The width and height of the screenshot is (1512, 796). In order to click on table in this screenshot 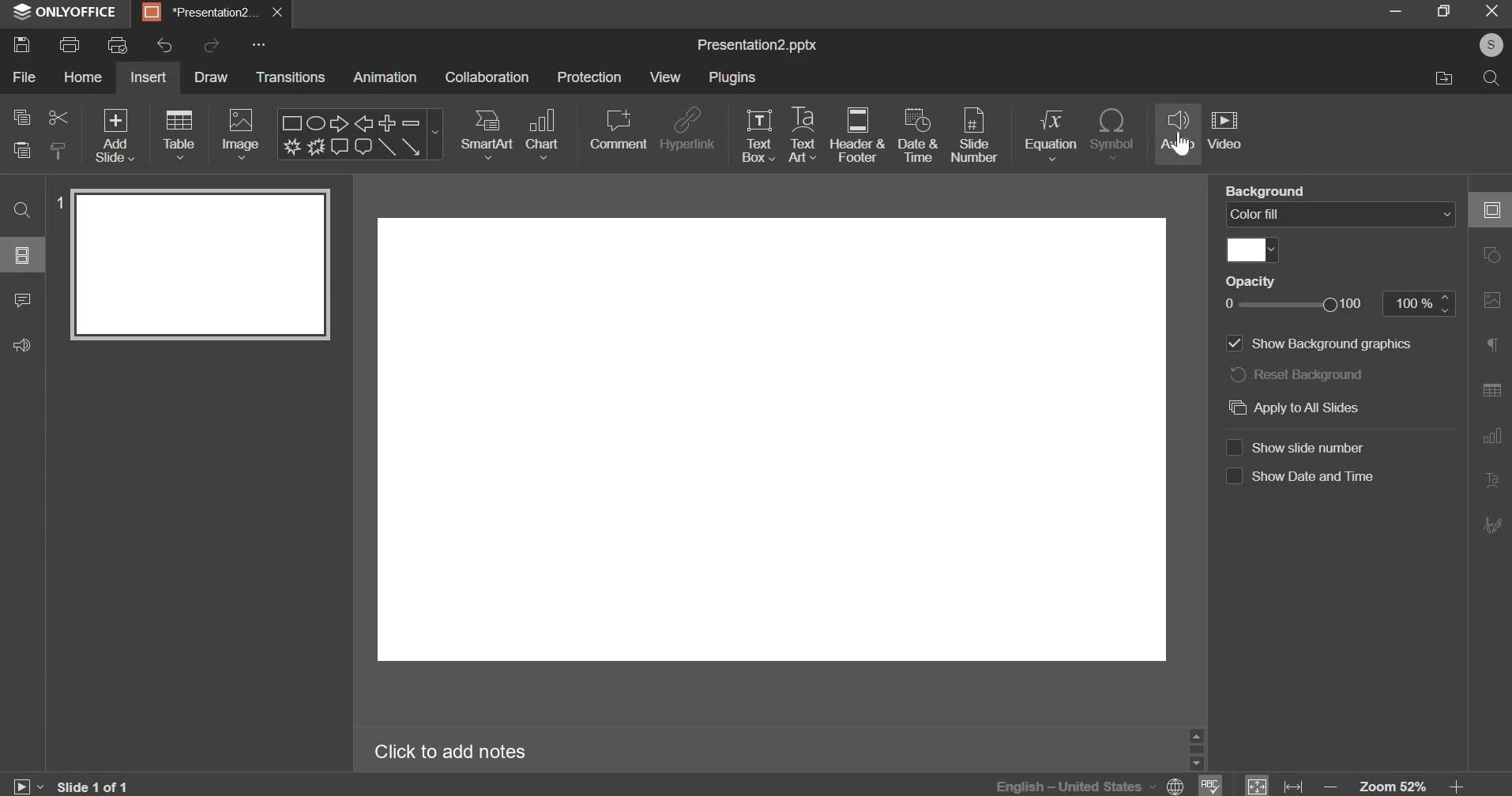, I will do `click(179, 135)`.